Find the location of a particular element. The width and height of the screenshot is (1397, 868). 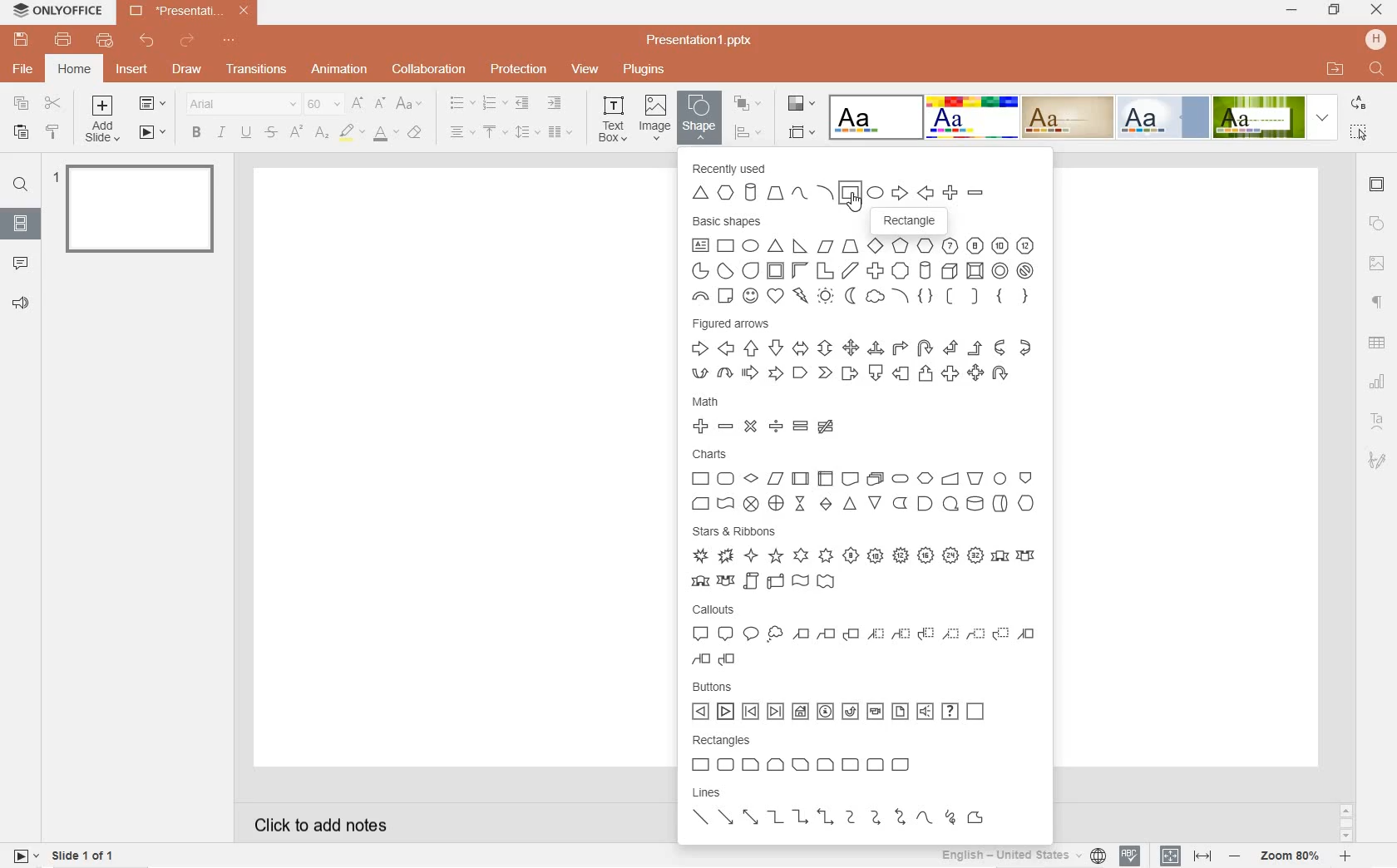

rectangles is located at coordinates (718, 740).